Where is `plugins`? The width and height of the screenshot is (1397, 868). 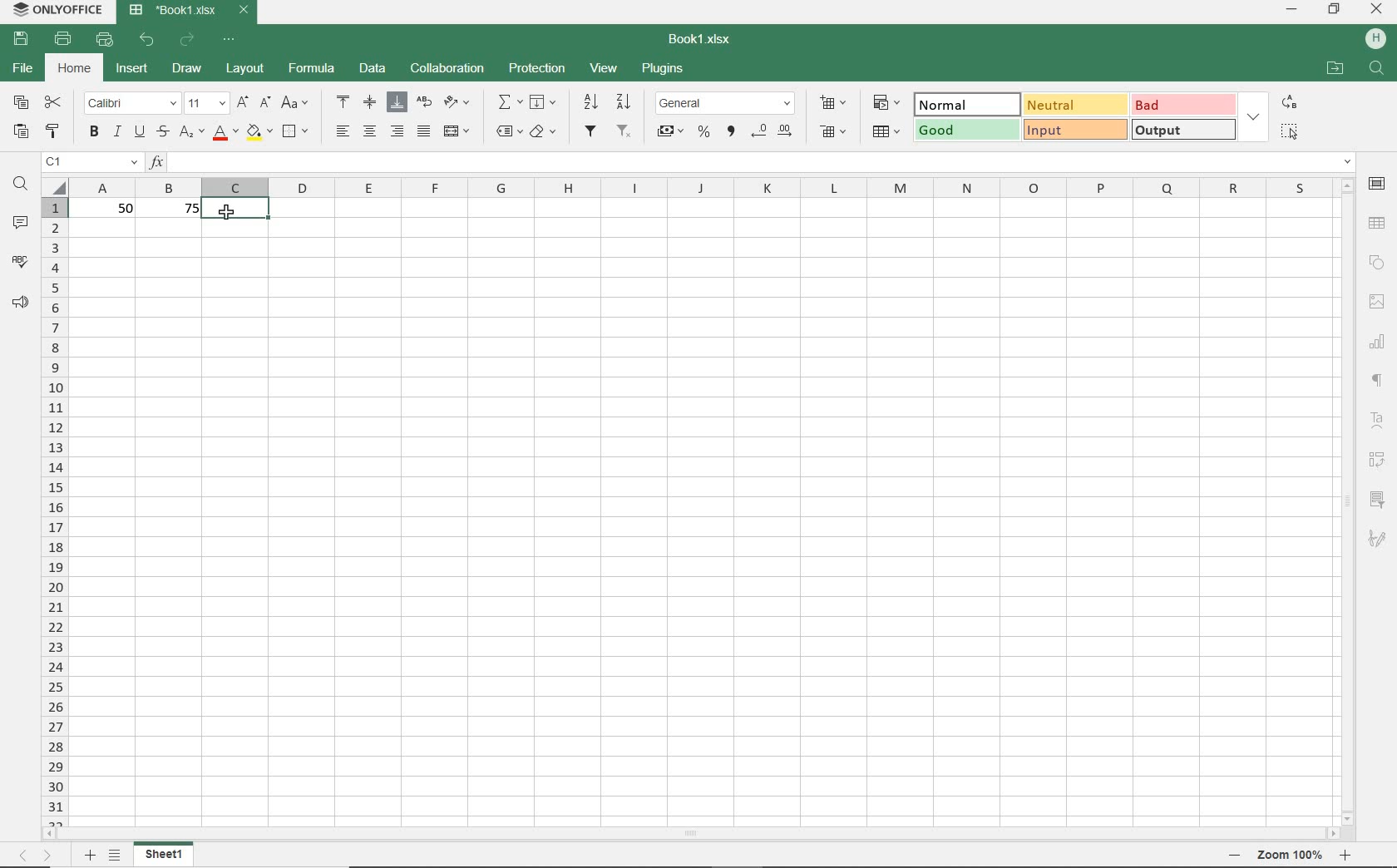
plugins is located at coordinates (660, 67).